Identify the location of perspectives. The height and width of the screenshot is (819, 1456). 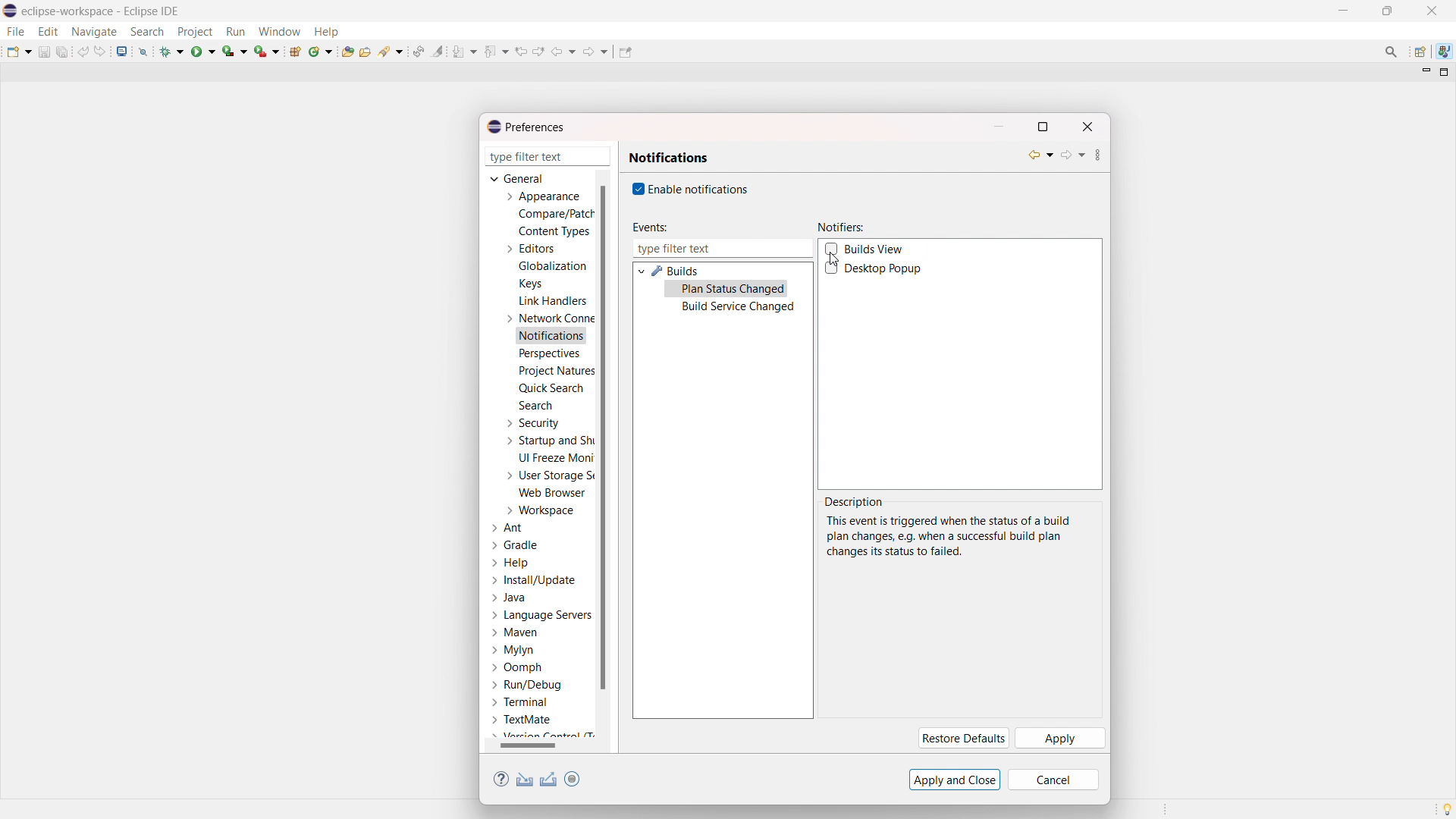
(548, 354).